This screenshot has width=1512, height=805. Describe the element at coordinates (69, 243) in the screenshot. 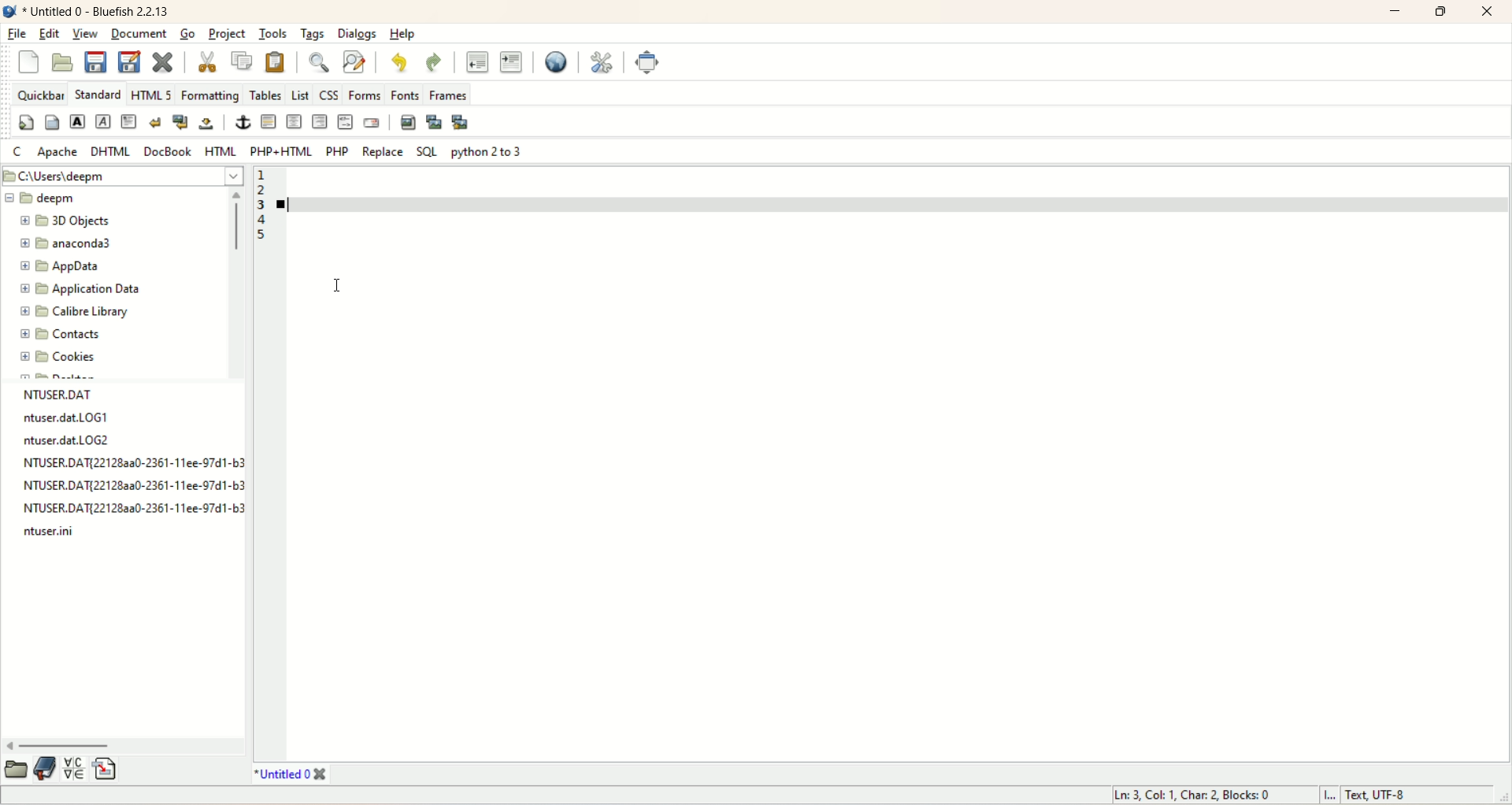

I see `anaconda` at that location.